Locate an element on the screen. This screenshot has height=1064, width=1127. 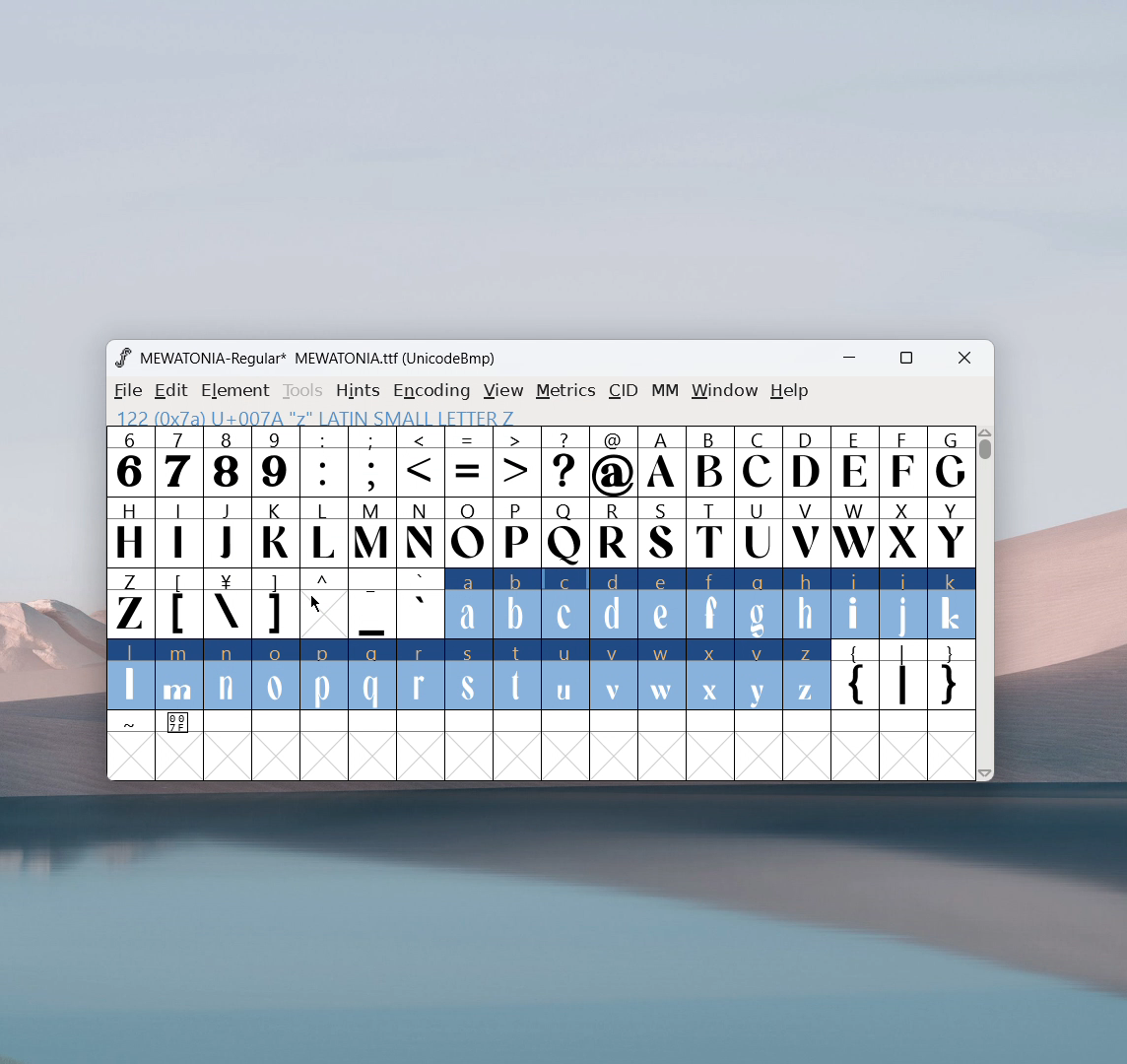
window is located at coordinates (725, 391).